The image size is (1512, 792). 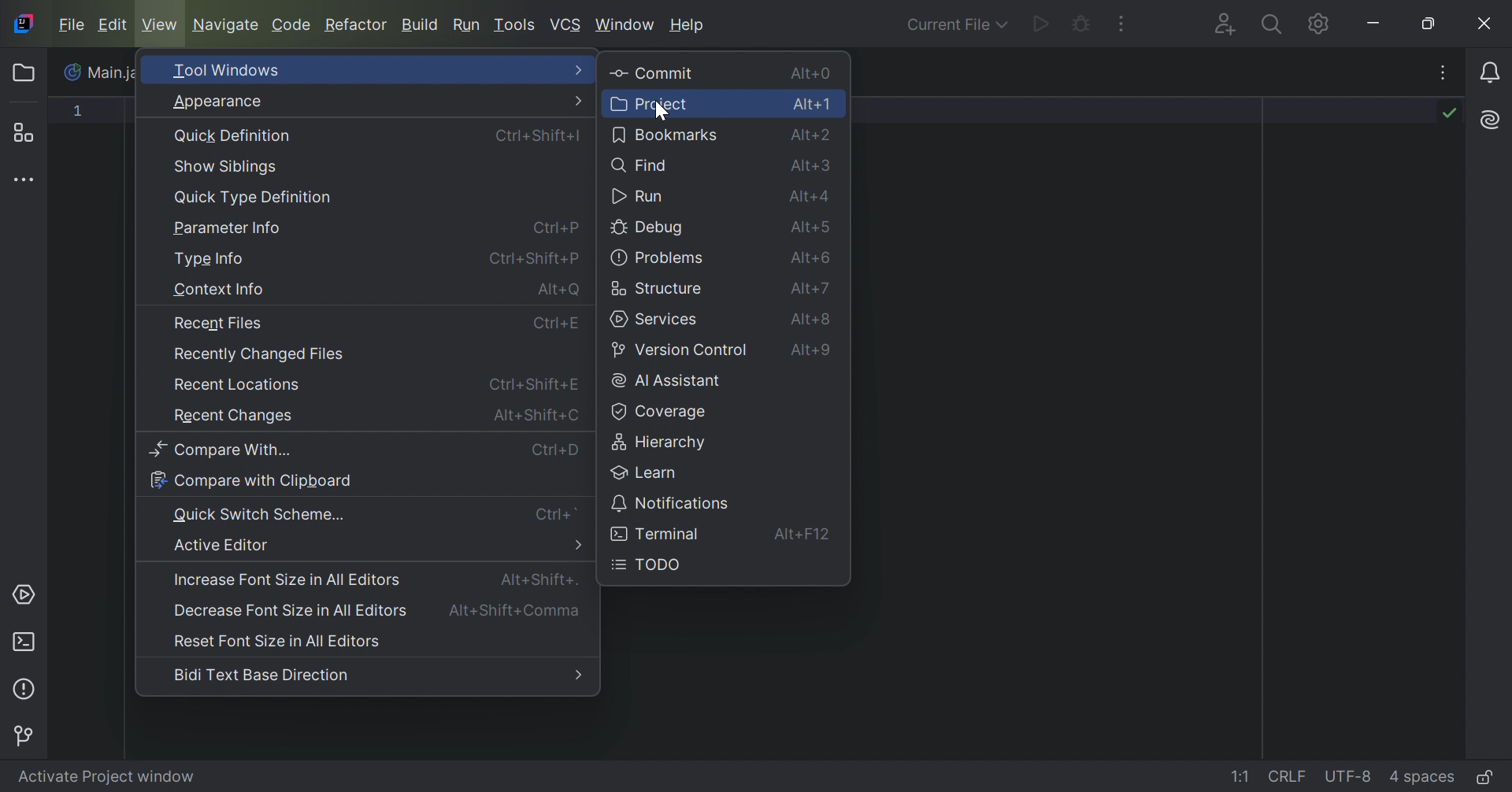 What do you see at coordinates (537, 386) in the screenshot?
I see `Ctrl+Shift+E` at bounding box center [537, 386].